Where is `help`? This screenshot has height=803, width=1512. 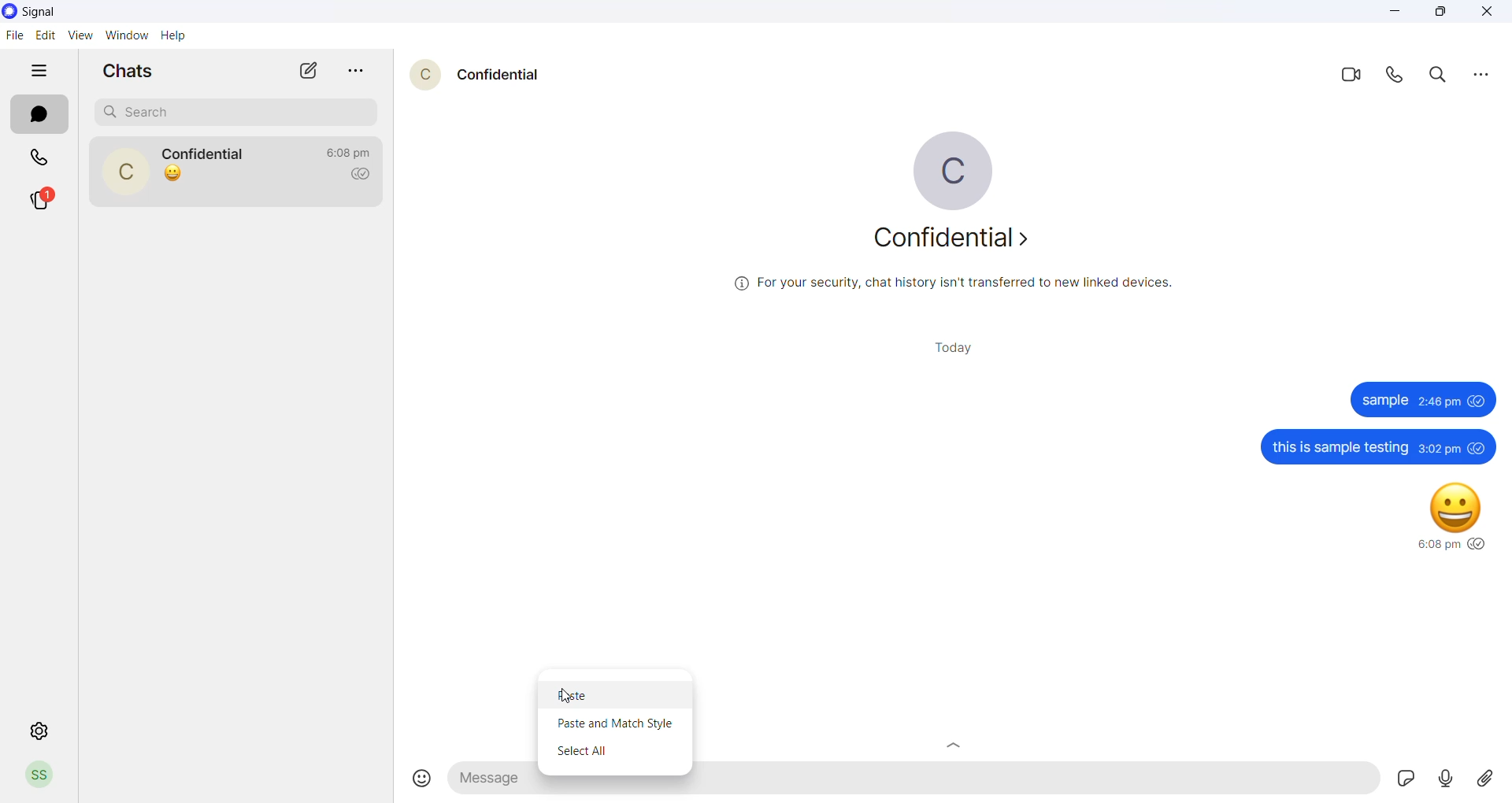 help is located at coordinates (176, 37).